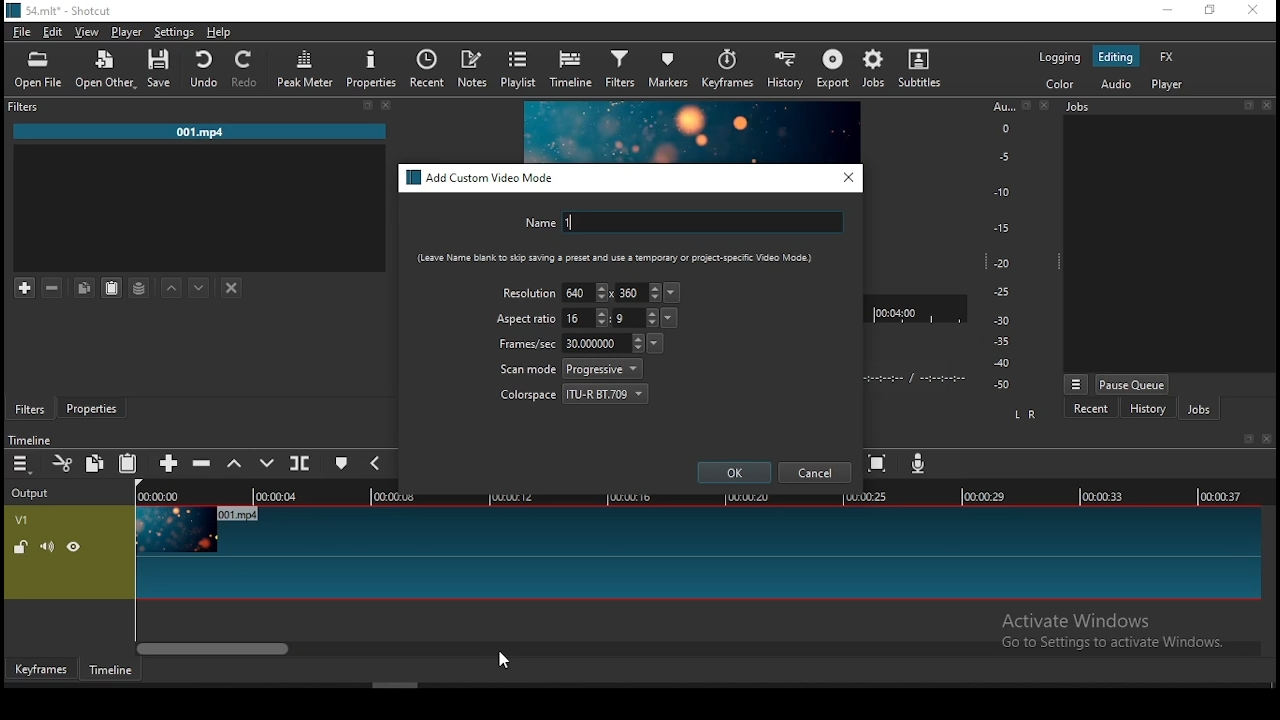 The height and width of the screenshot is (720, 1280). What do you see at coordinates (129, 464) in the screenshot?
I see `paste` at bounding box center [129, 464].